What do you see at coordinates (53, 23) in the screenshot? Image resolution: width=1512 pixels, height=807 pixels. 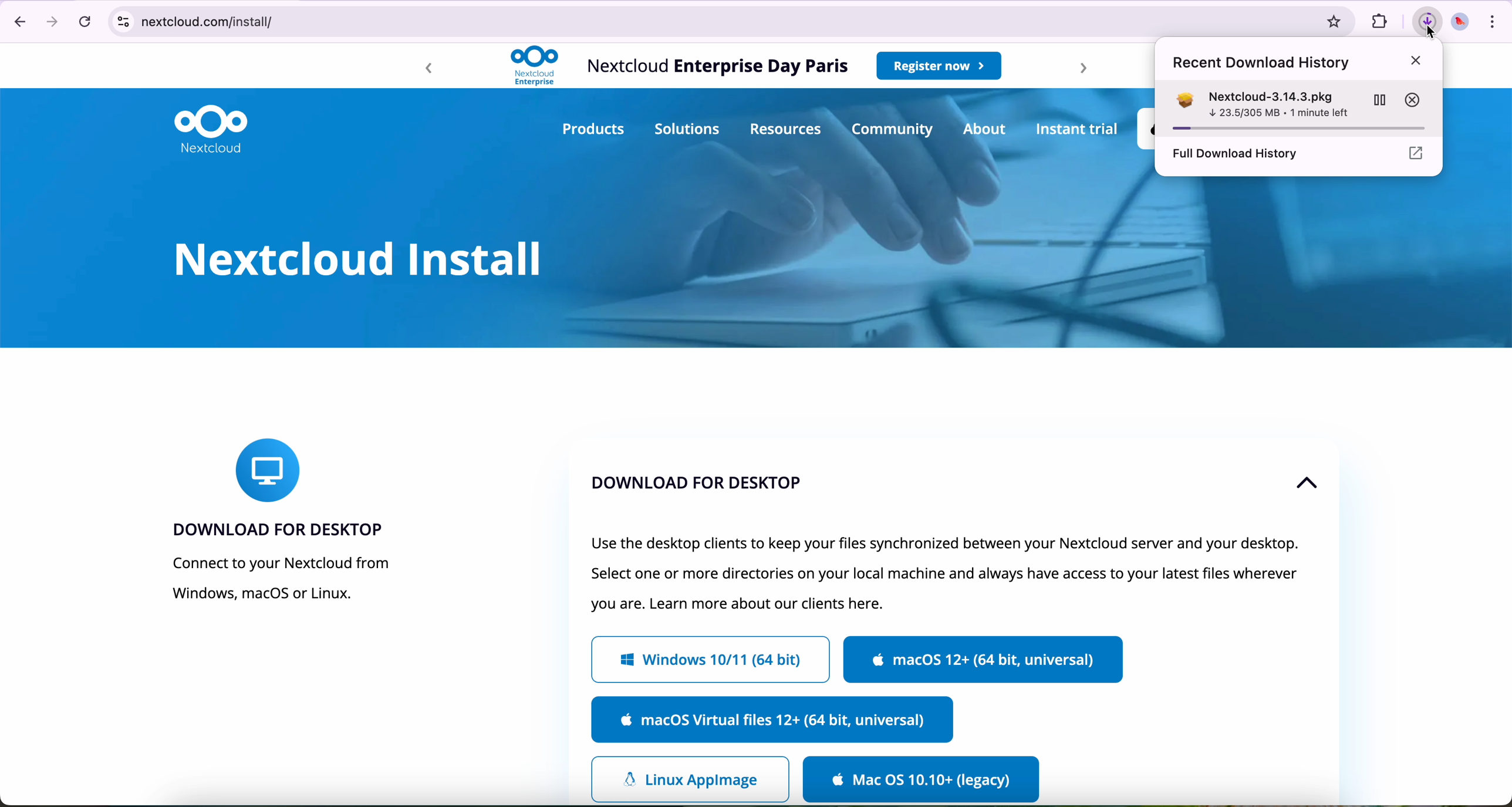 I see `navigate foward` at bounding box center [53, 23].